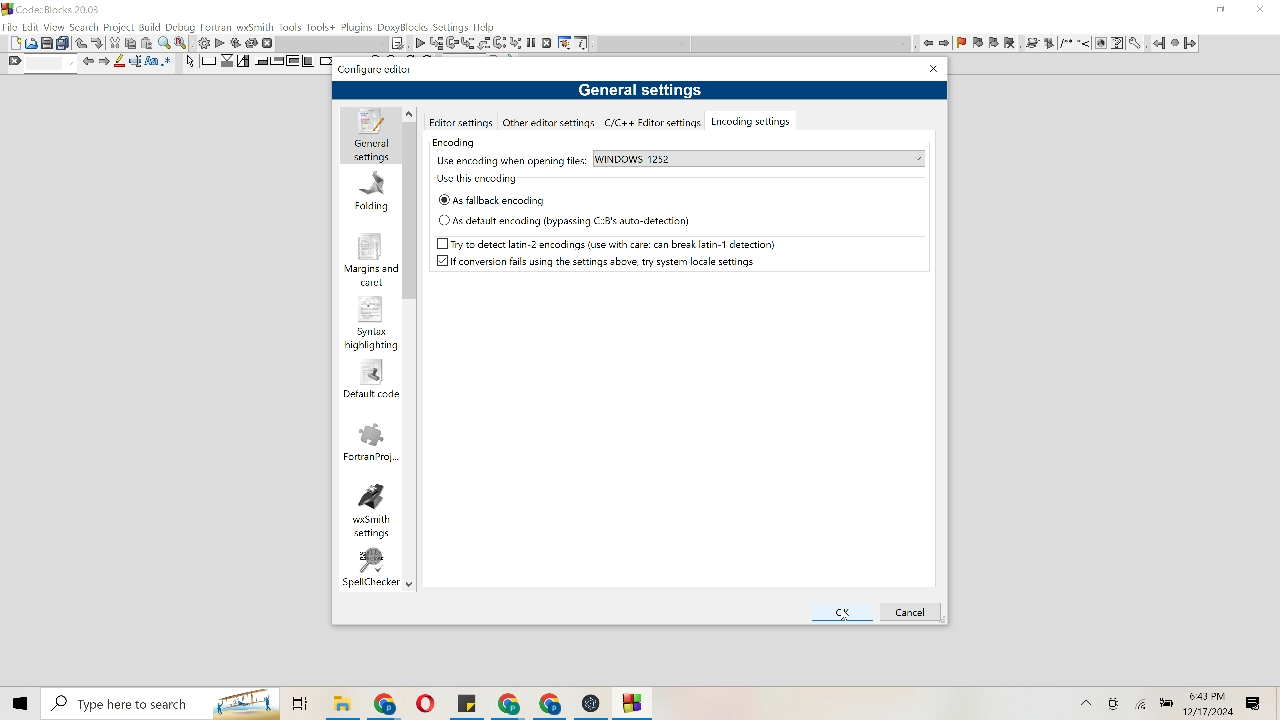 This screenshot has height=720, width=1280. I want to click on Code Blocks 20.3, so click(50, 8).